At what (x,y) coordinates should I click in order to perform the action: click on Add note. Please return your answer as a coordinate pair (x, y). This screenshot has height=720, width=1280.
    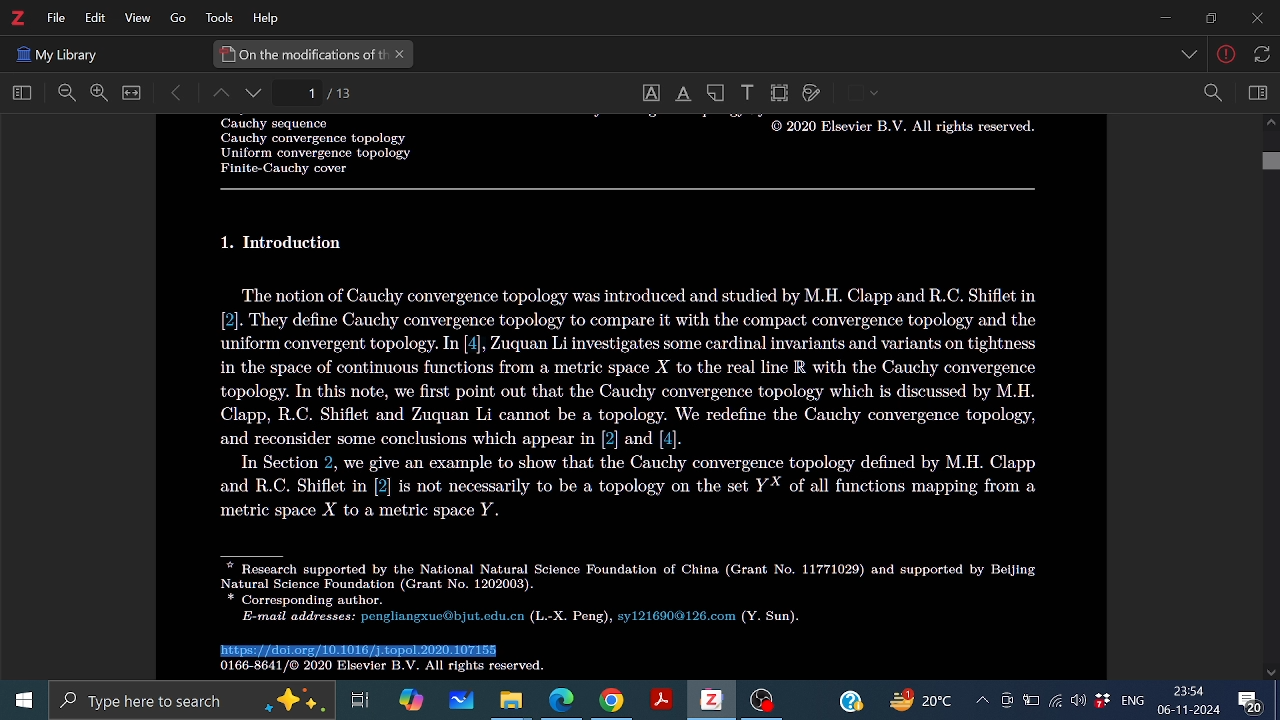
    Looking at the image, I should click on (718, 92).